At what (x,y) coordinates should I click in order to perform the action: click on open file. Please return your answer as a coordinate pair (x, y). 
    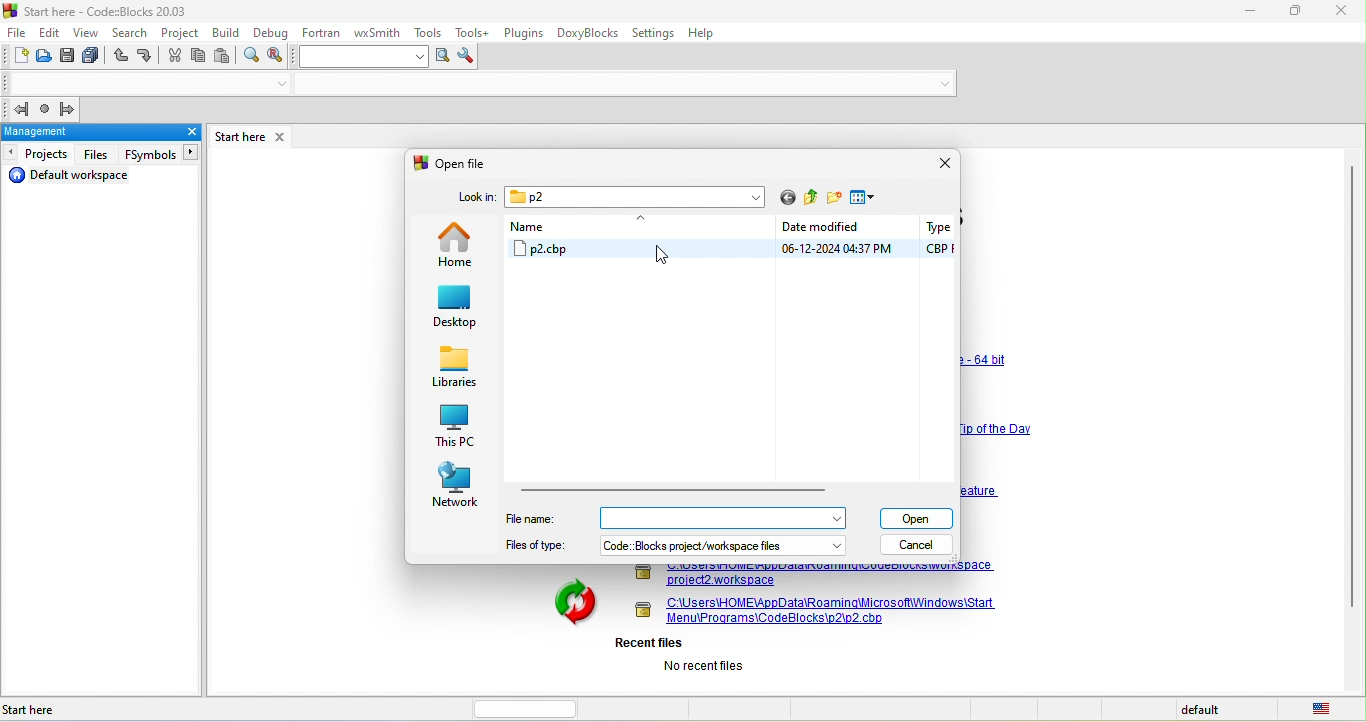
    Looking at the image, I should click on (456, 163).